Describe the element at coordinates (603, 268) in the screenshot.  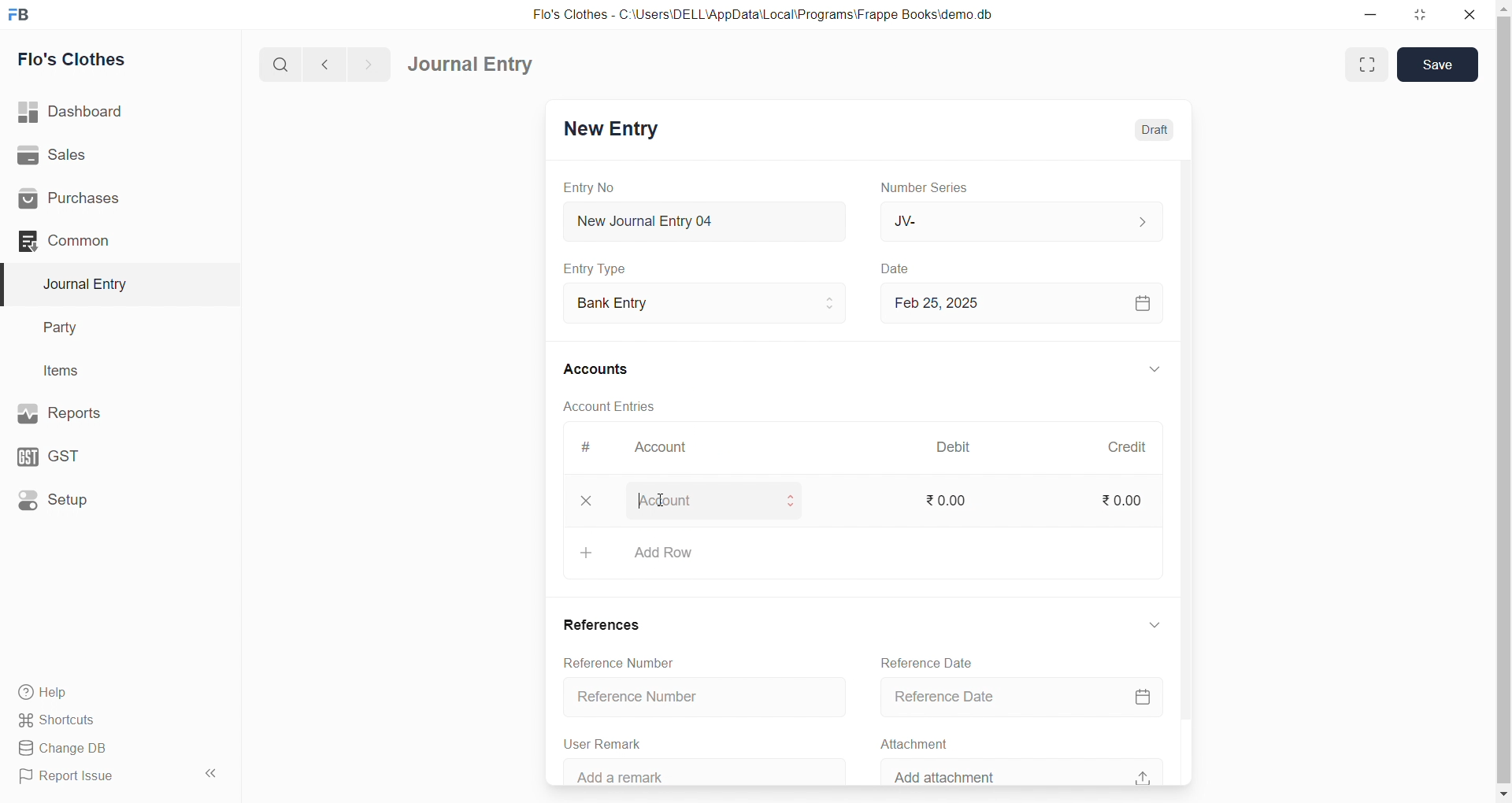
I see `Entry Type` at that location.